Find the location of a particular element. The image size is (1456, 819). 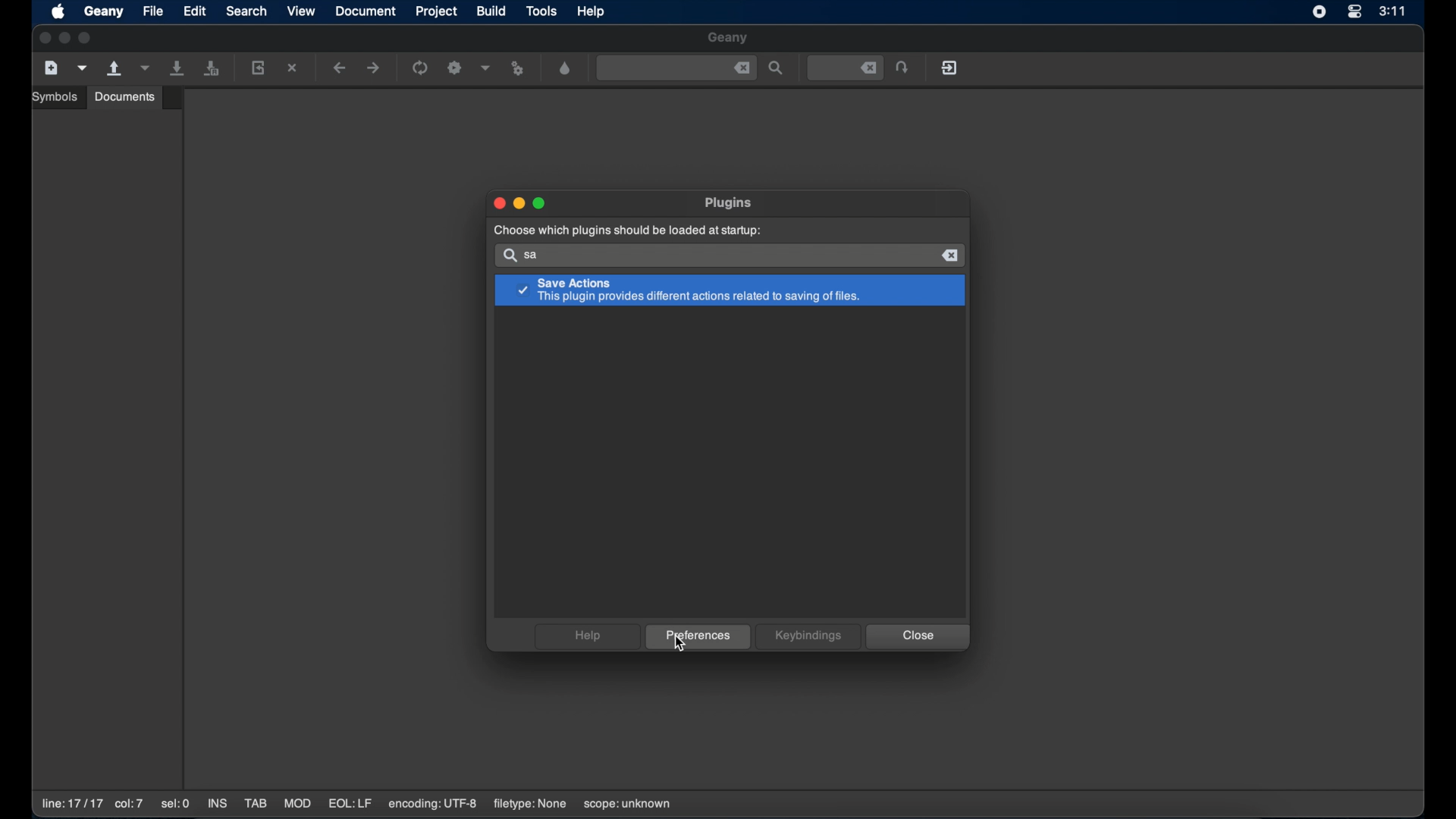

jump to the entered file is located at coordinates (903, 68).